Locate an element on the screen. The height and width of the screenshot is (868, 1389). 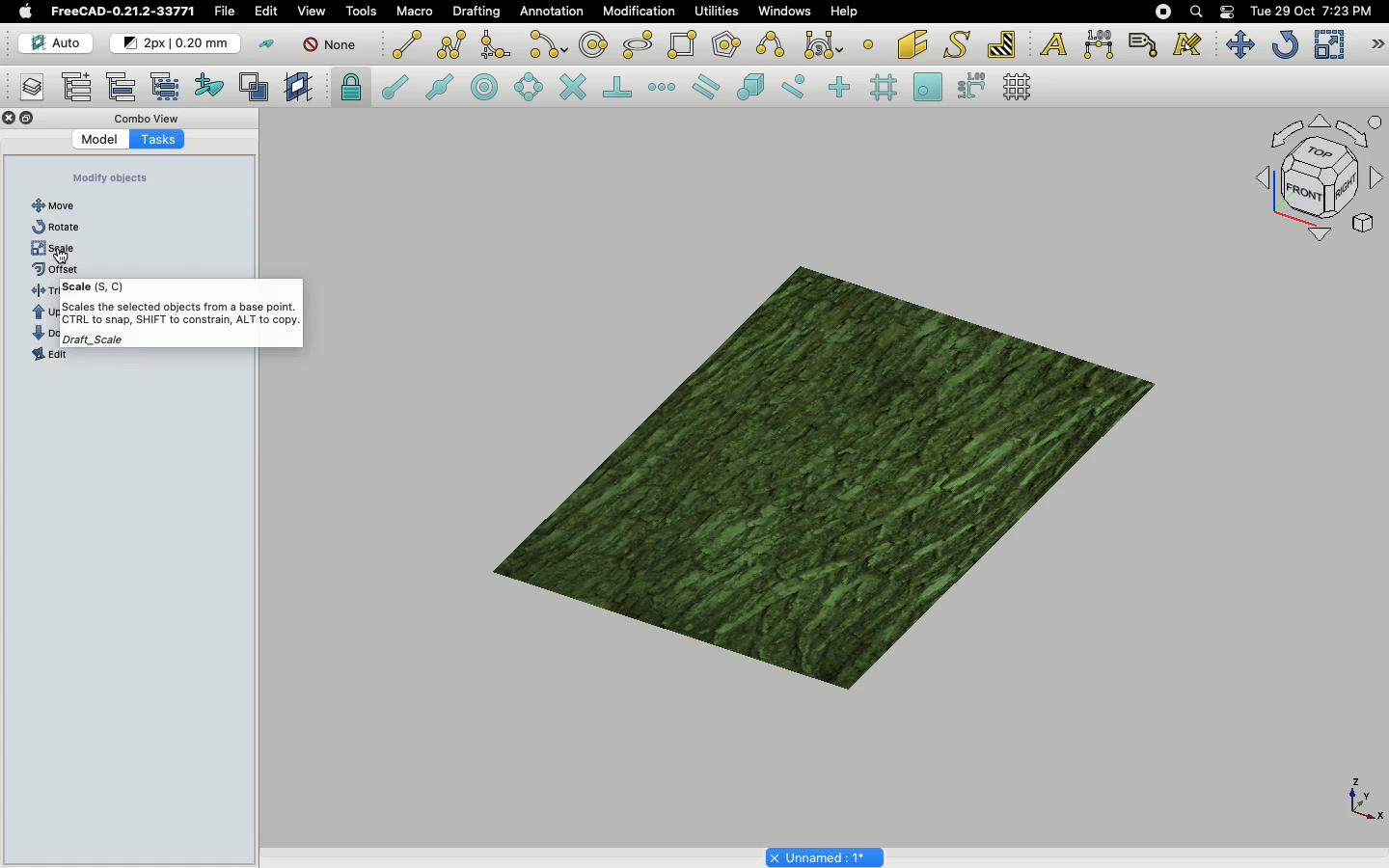
View is located at coordinates (308, 12).